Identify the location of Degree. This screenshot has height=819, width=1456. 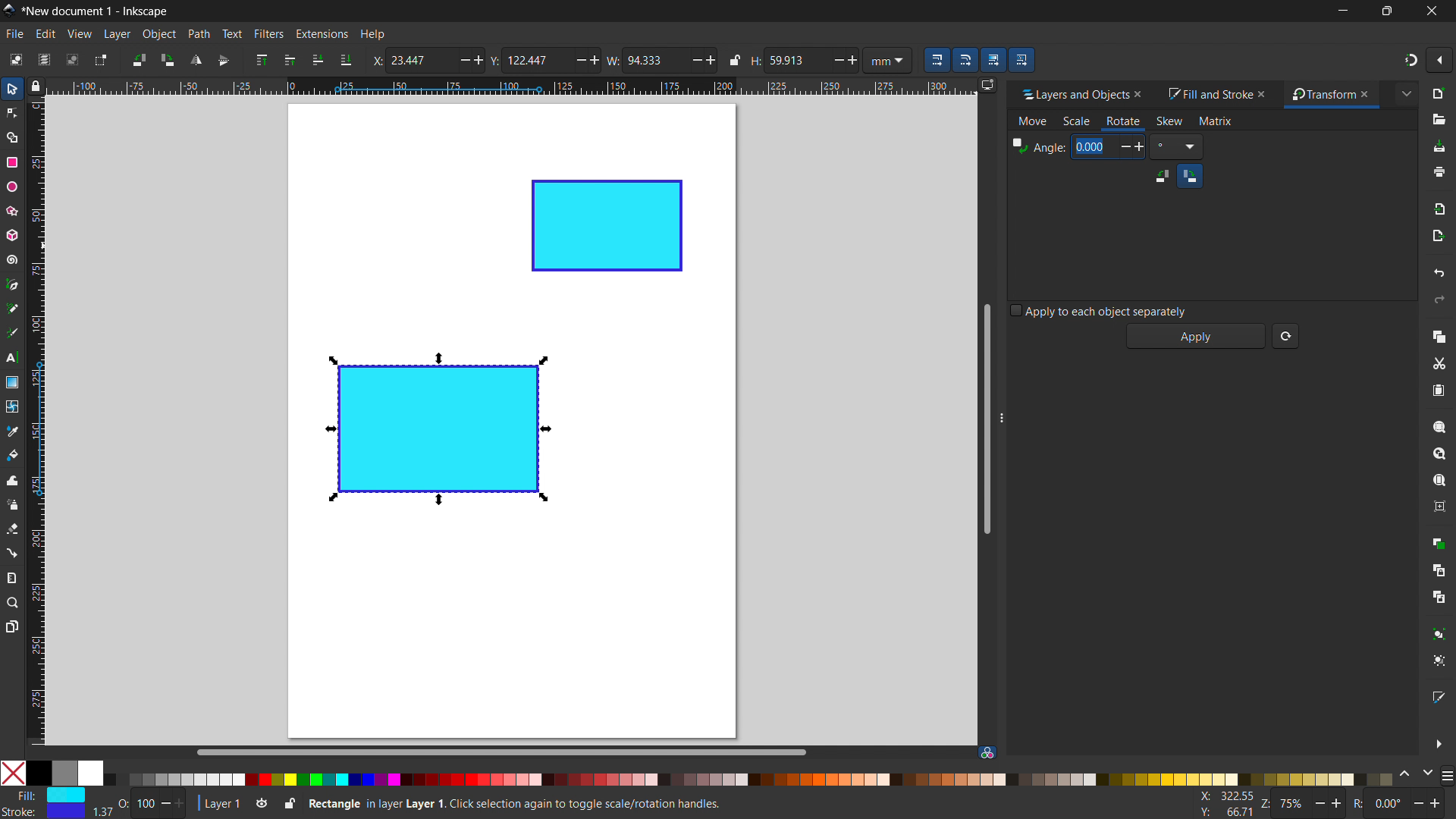
(1177, 146).